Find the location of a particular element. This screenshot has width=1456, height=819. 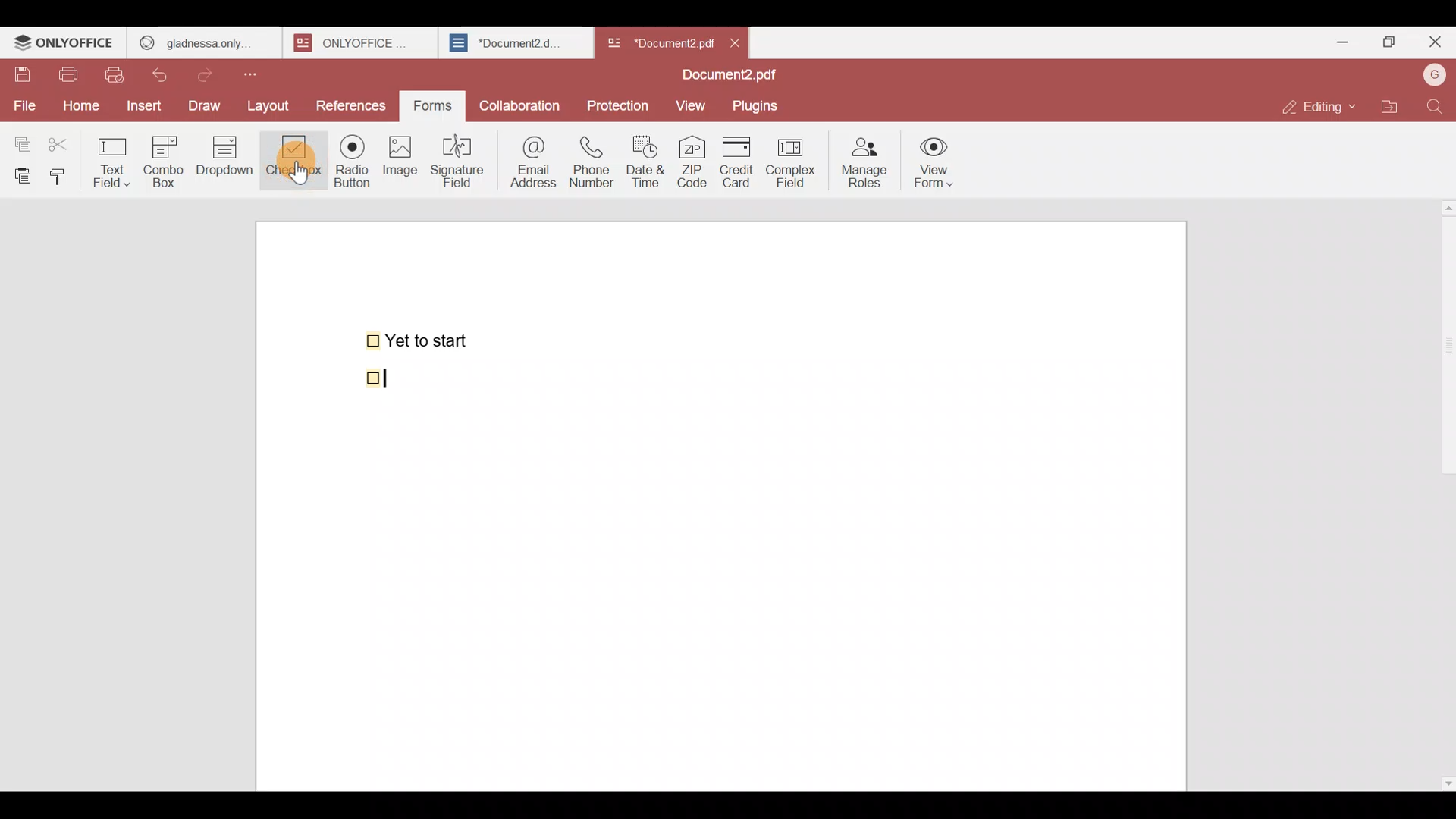

Text field is located at coordinates (115, 158).